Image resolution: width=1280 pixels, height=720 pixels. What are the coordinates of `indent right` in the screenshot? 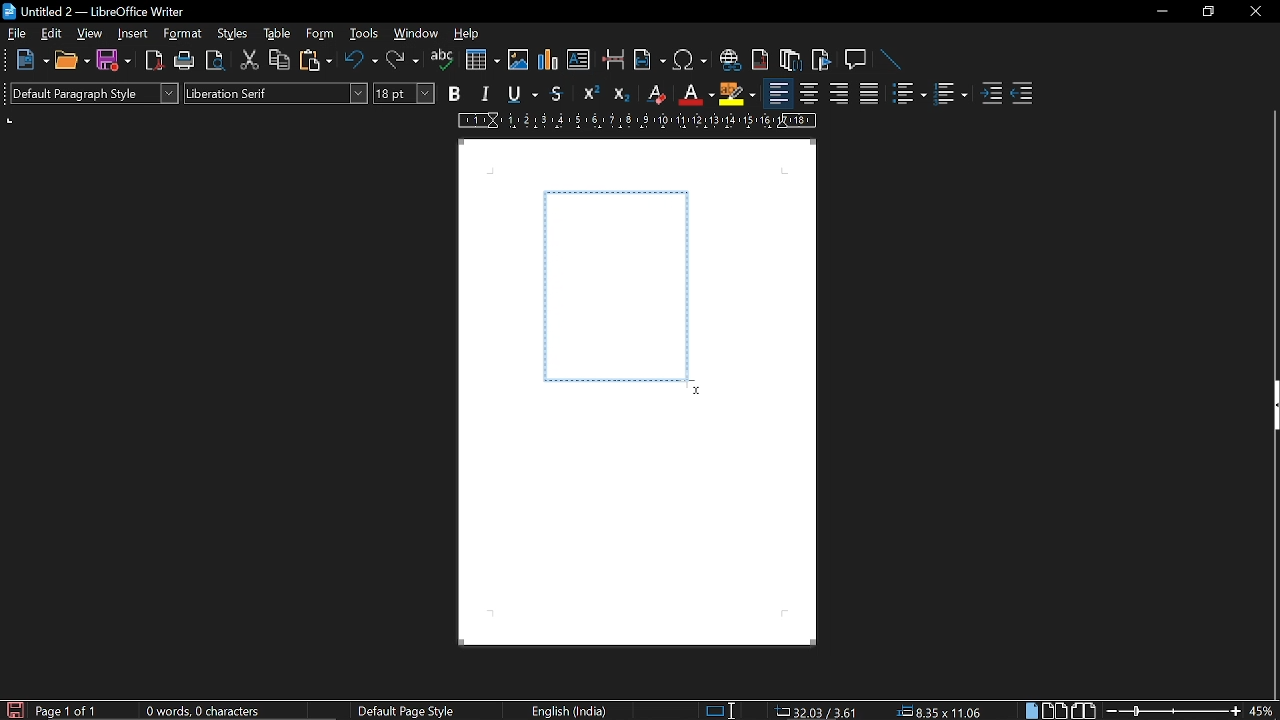 It's located at (1022, 95).